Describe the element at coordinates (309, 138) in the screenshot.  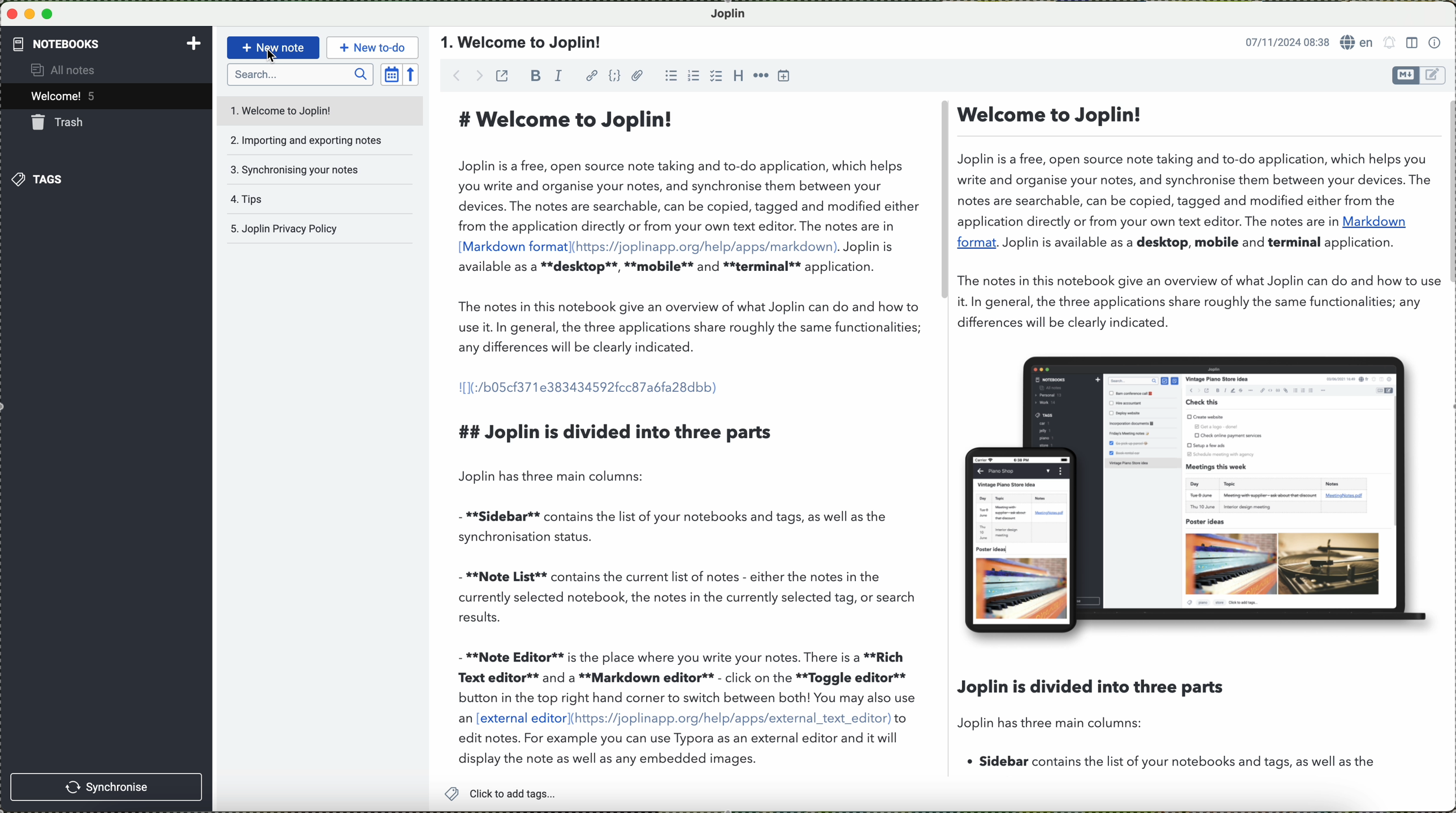
I see `importing and exporting notes` at that location.